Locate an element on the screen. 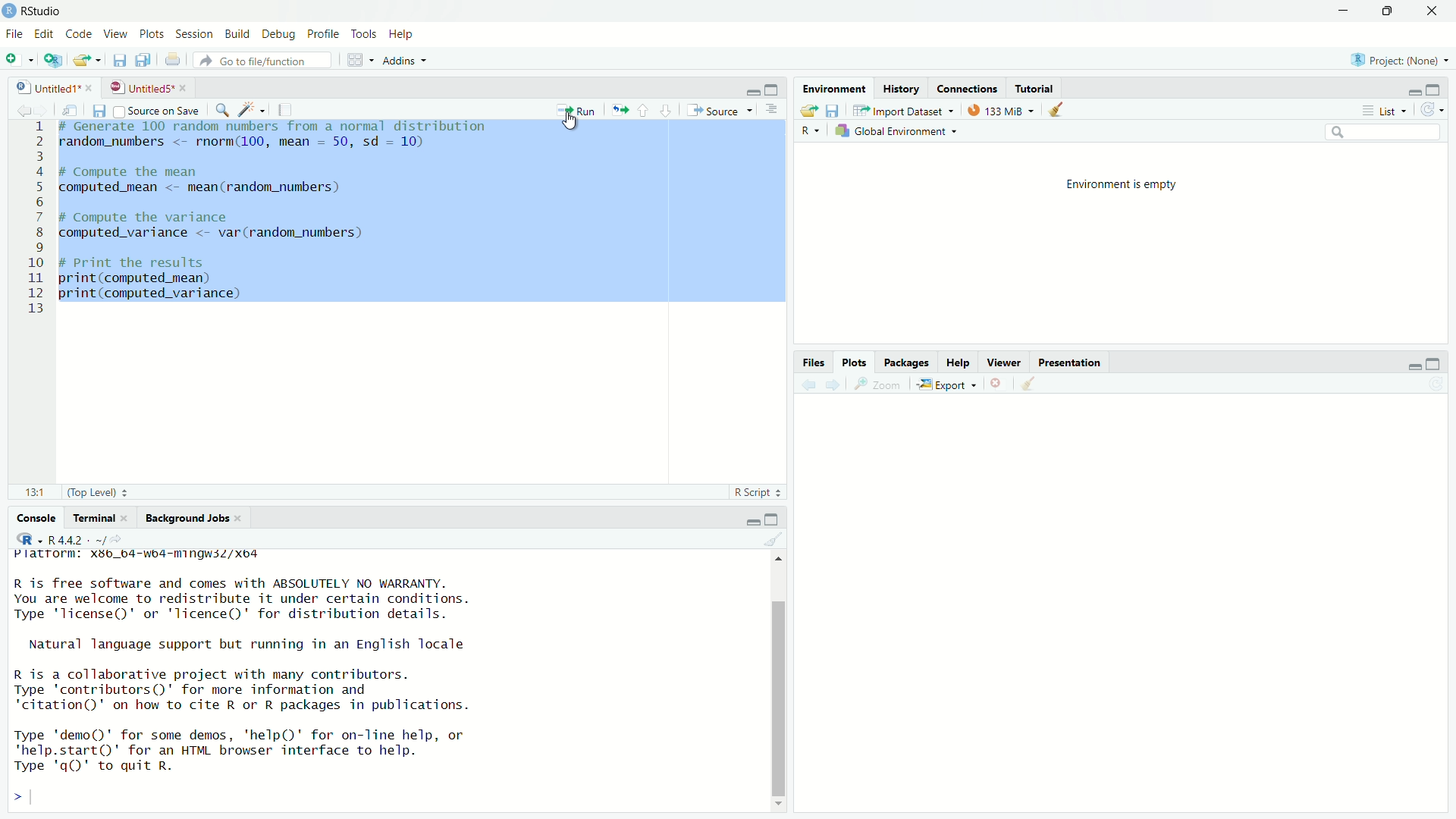 This screenshot has height=819, width=1456. Environment is empty is located at coordinates (1122, 187).